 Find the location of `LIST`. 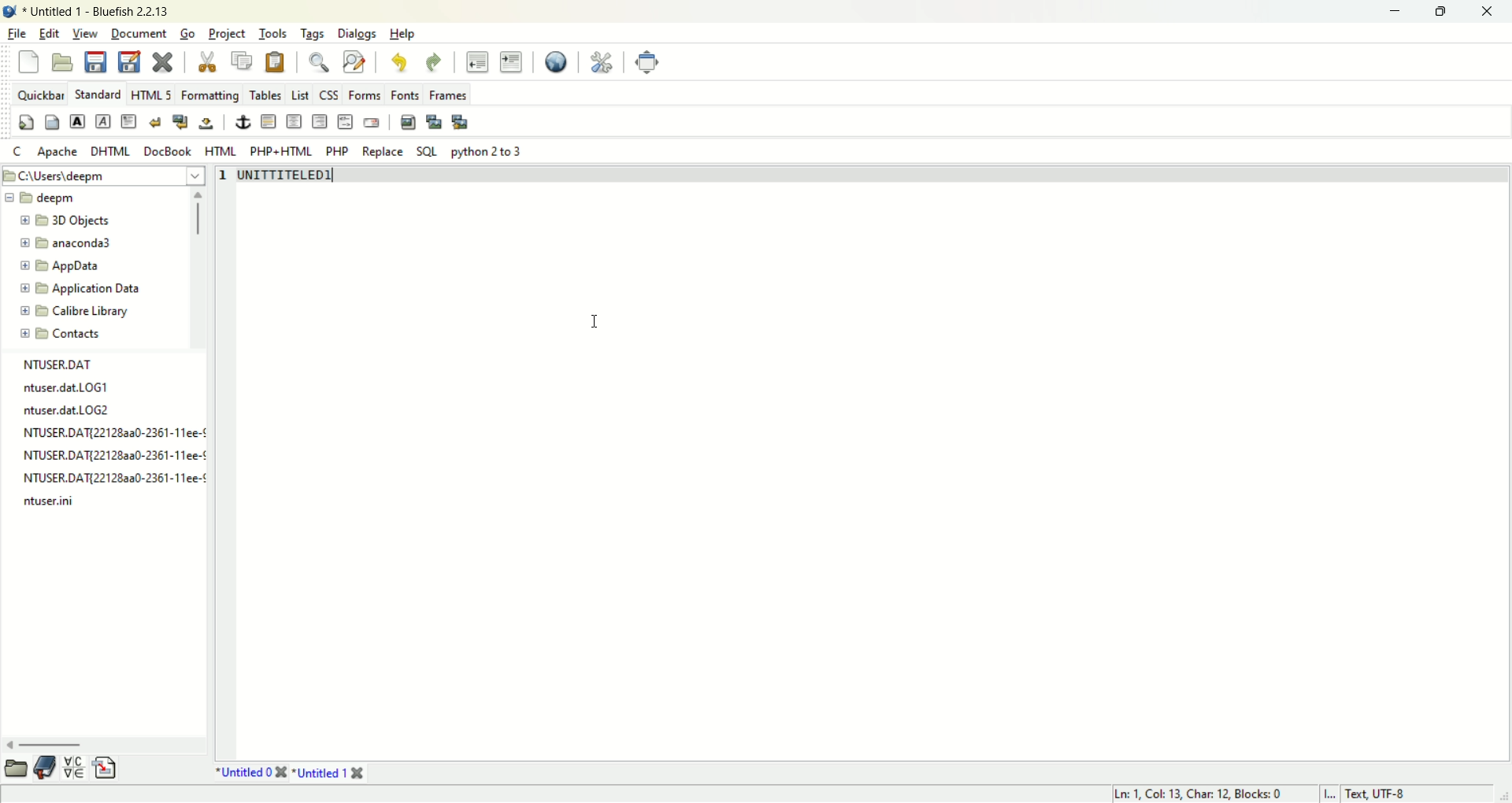

LIST is located at coordinates (299, 95).